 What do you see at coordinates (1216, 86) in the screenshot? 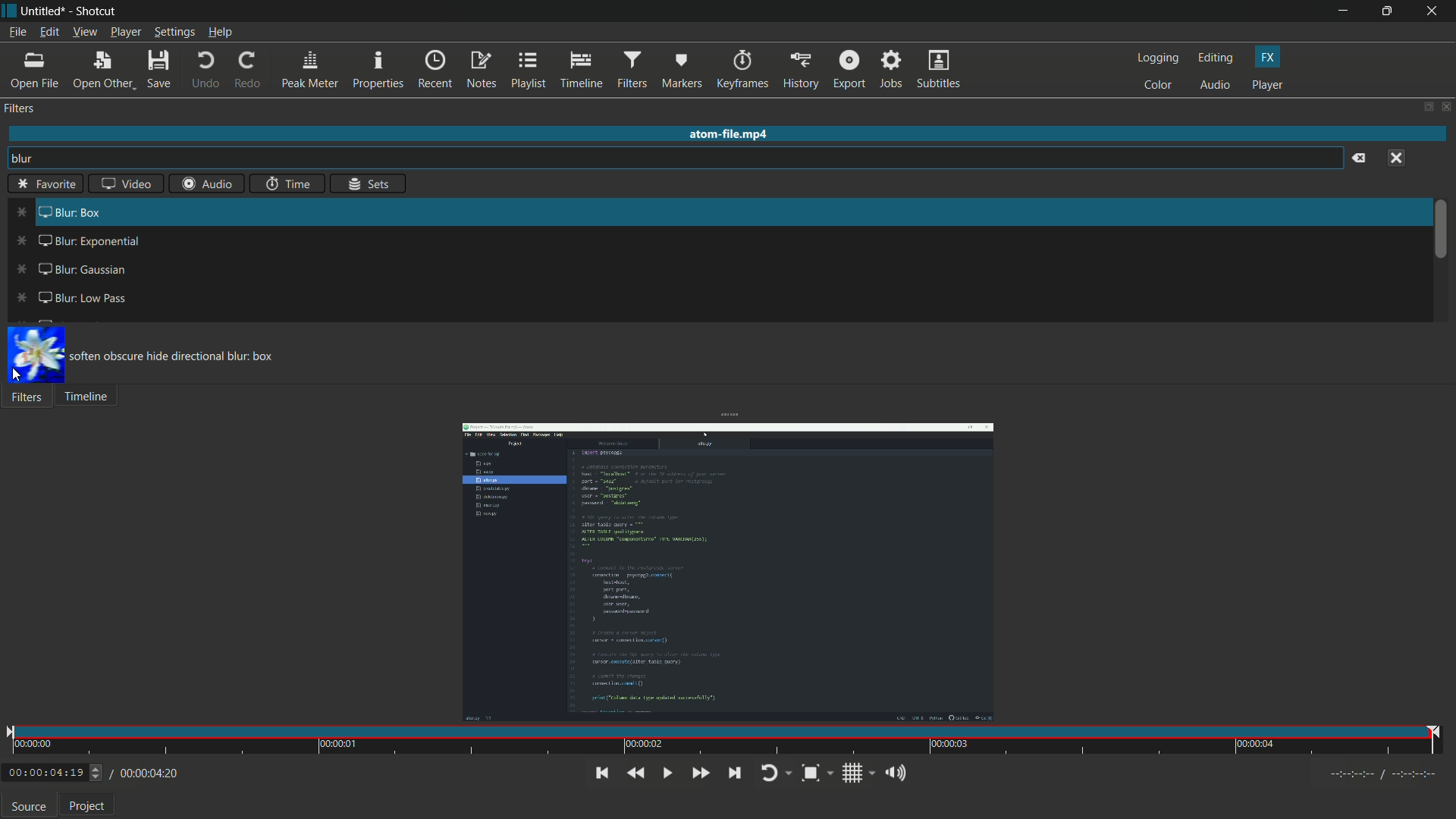
I see `audio` at bounding box center [1216, 86].